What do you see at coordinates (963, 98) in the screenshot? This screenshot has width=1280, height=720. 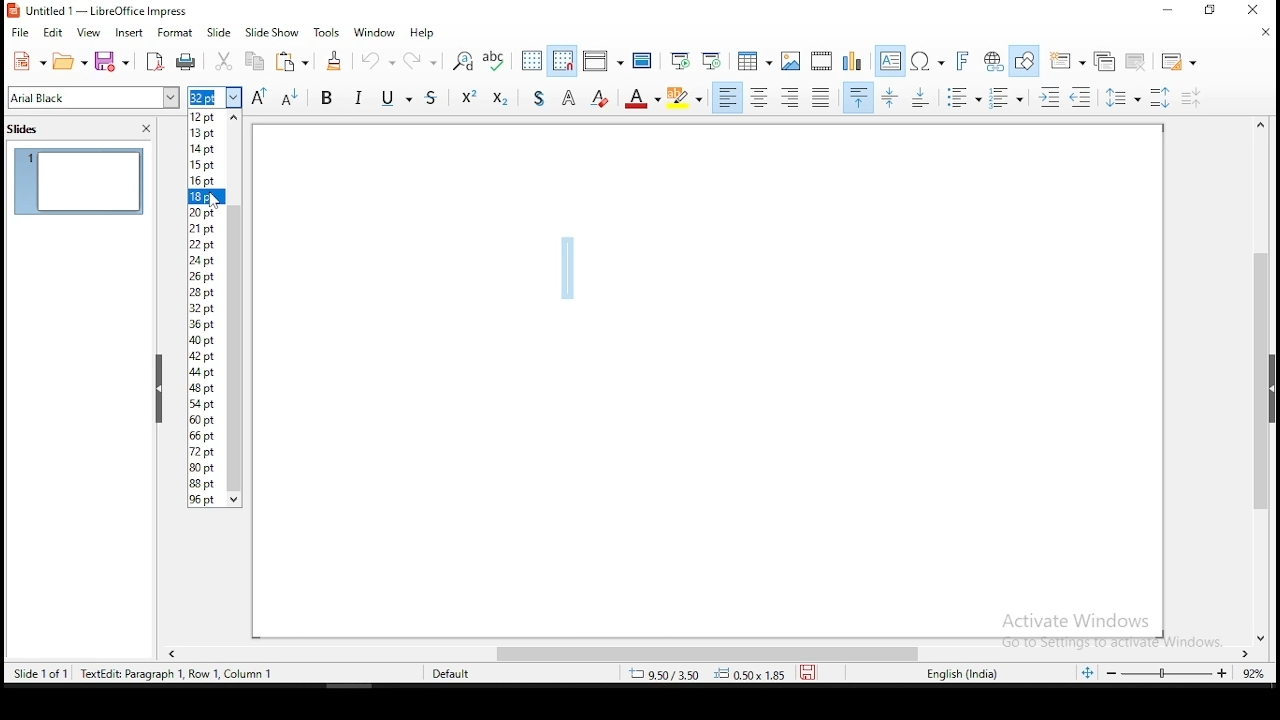 I see `Bullet points` at bounding box center [963, 98].